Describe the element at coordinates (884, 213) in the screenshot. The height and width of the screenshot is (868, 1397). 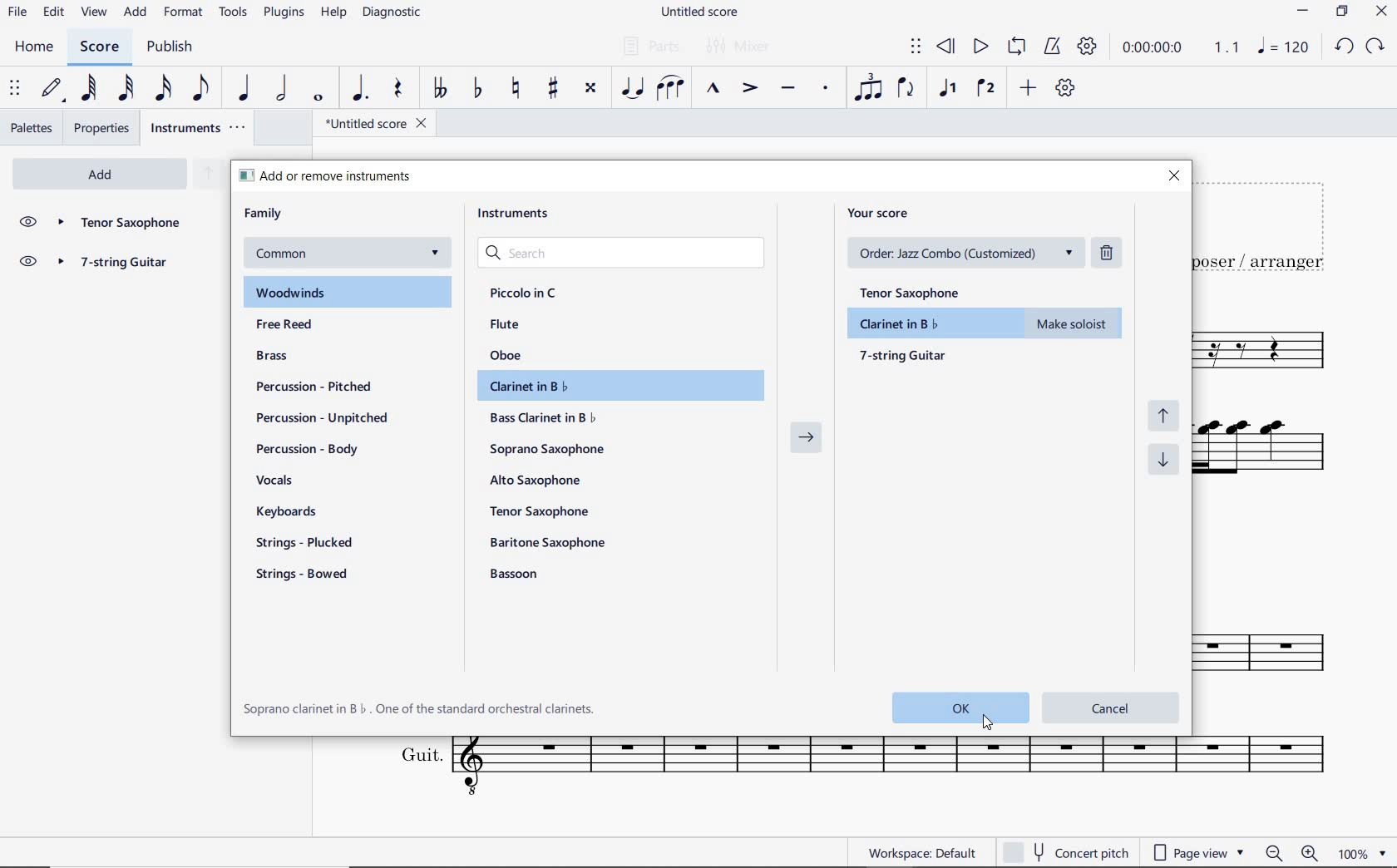
I see `your score` at that location.